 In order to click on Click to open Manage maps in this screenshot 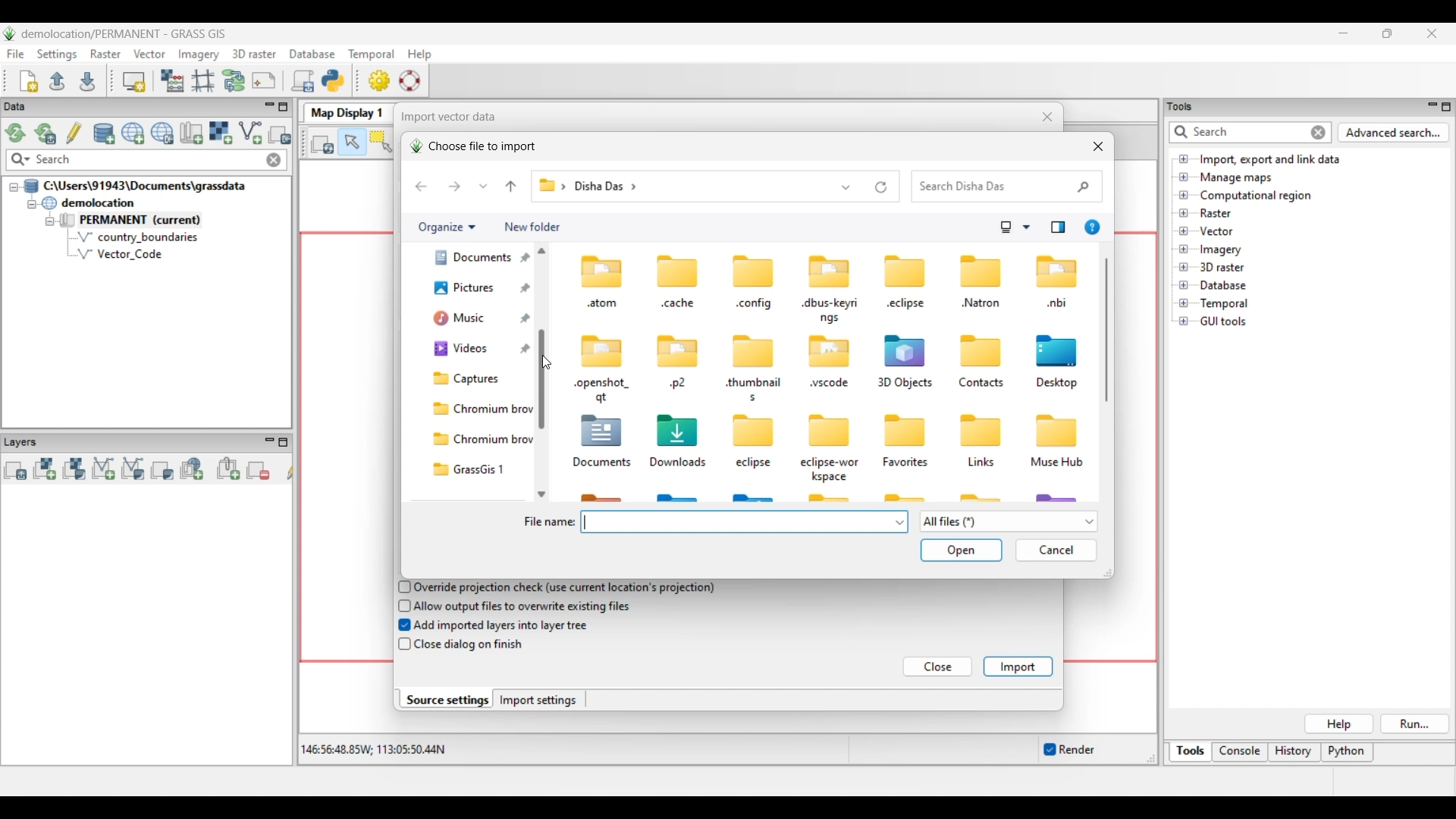, I will do `click(1184, 177)`.